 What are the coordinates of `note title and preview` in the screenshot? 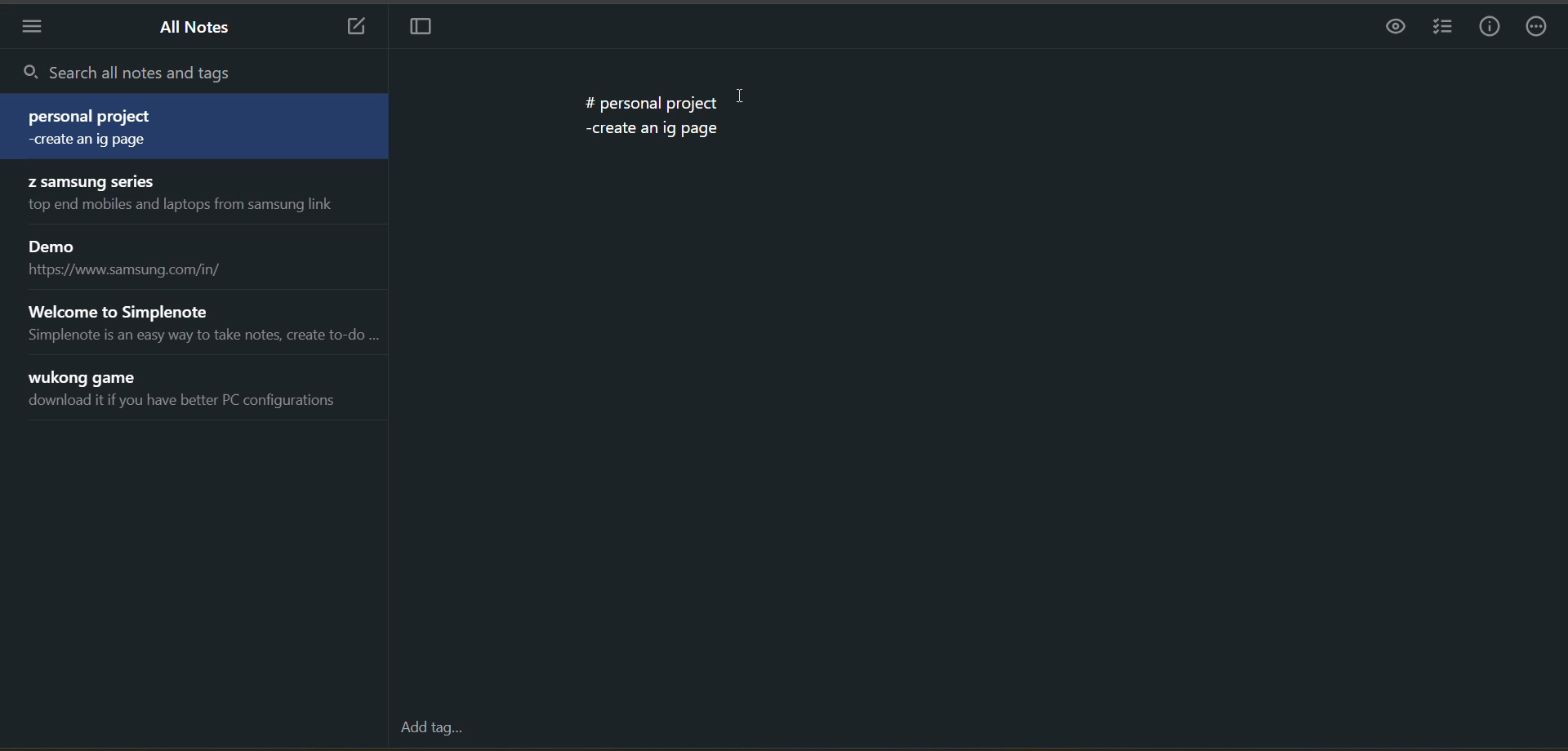 It's located at (189, 388).